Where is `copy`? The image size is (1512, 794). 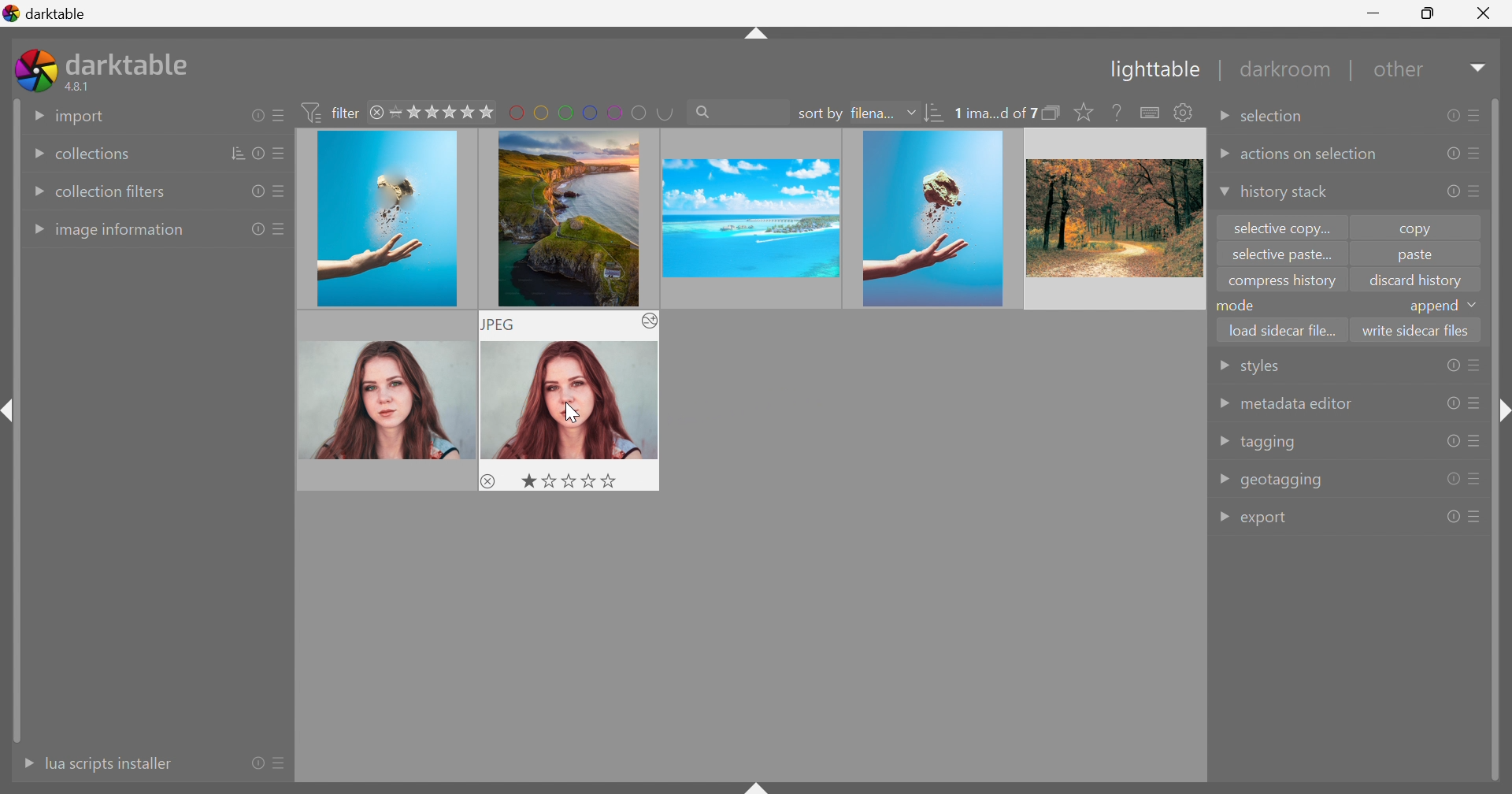
copy is located at coordinates (1423, 228).